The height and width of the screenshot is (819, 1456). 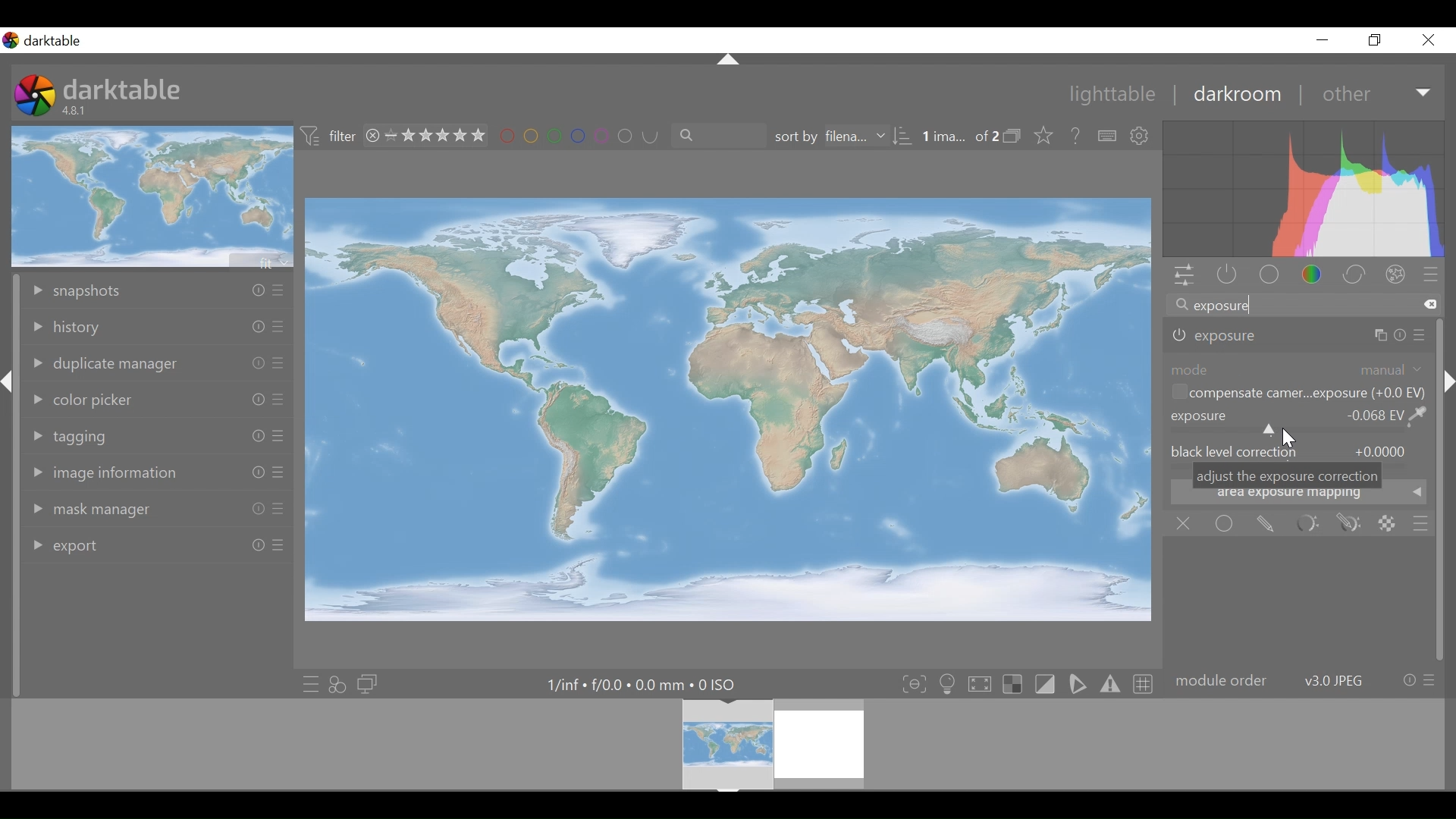 I want to click on toggle indication of raw overexposure, so click(x=1012, y=684).